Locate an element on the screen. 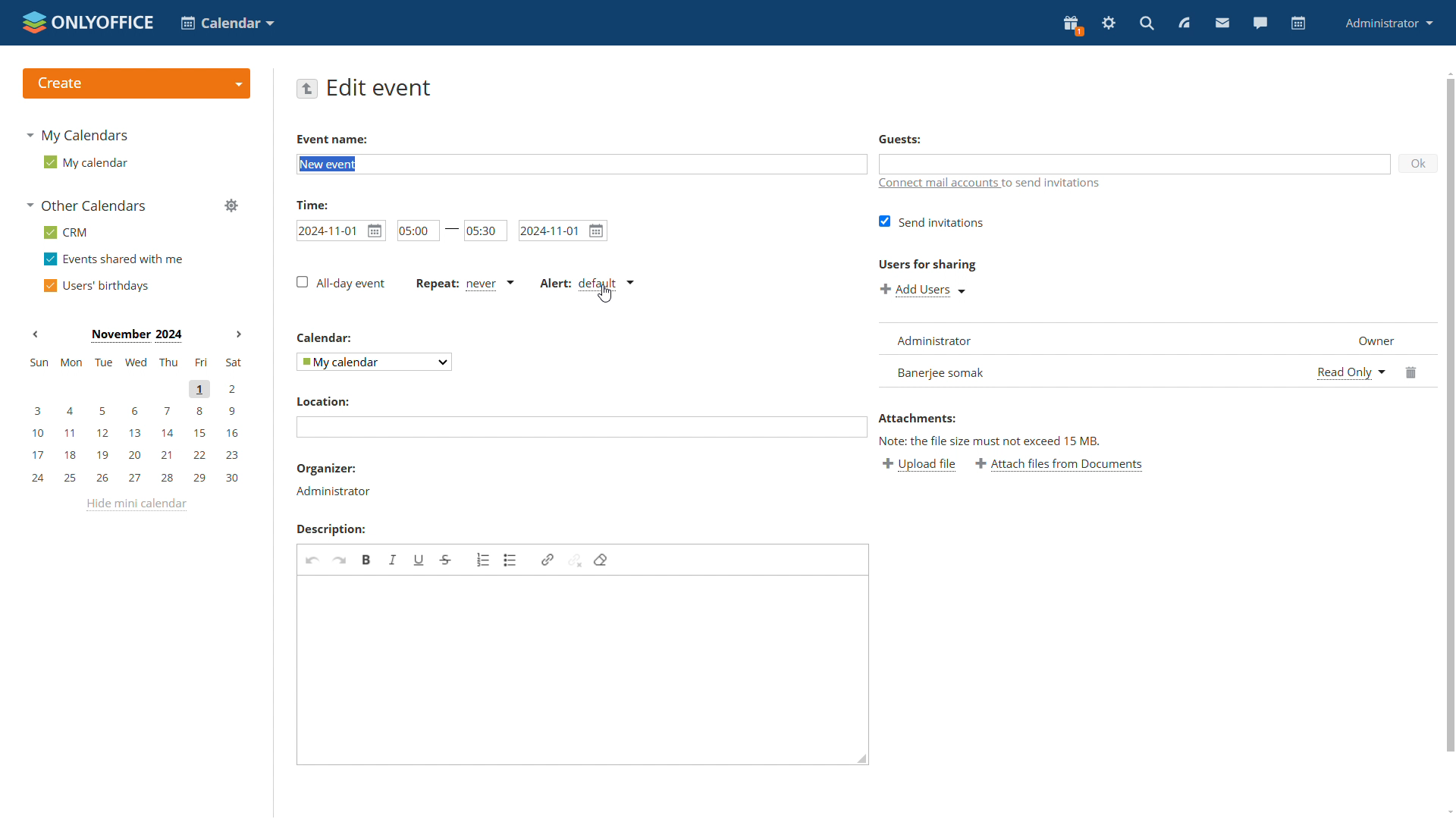 The width and height of the screenshot is (1456, 819). crm is located at coordinates (70, 234).